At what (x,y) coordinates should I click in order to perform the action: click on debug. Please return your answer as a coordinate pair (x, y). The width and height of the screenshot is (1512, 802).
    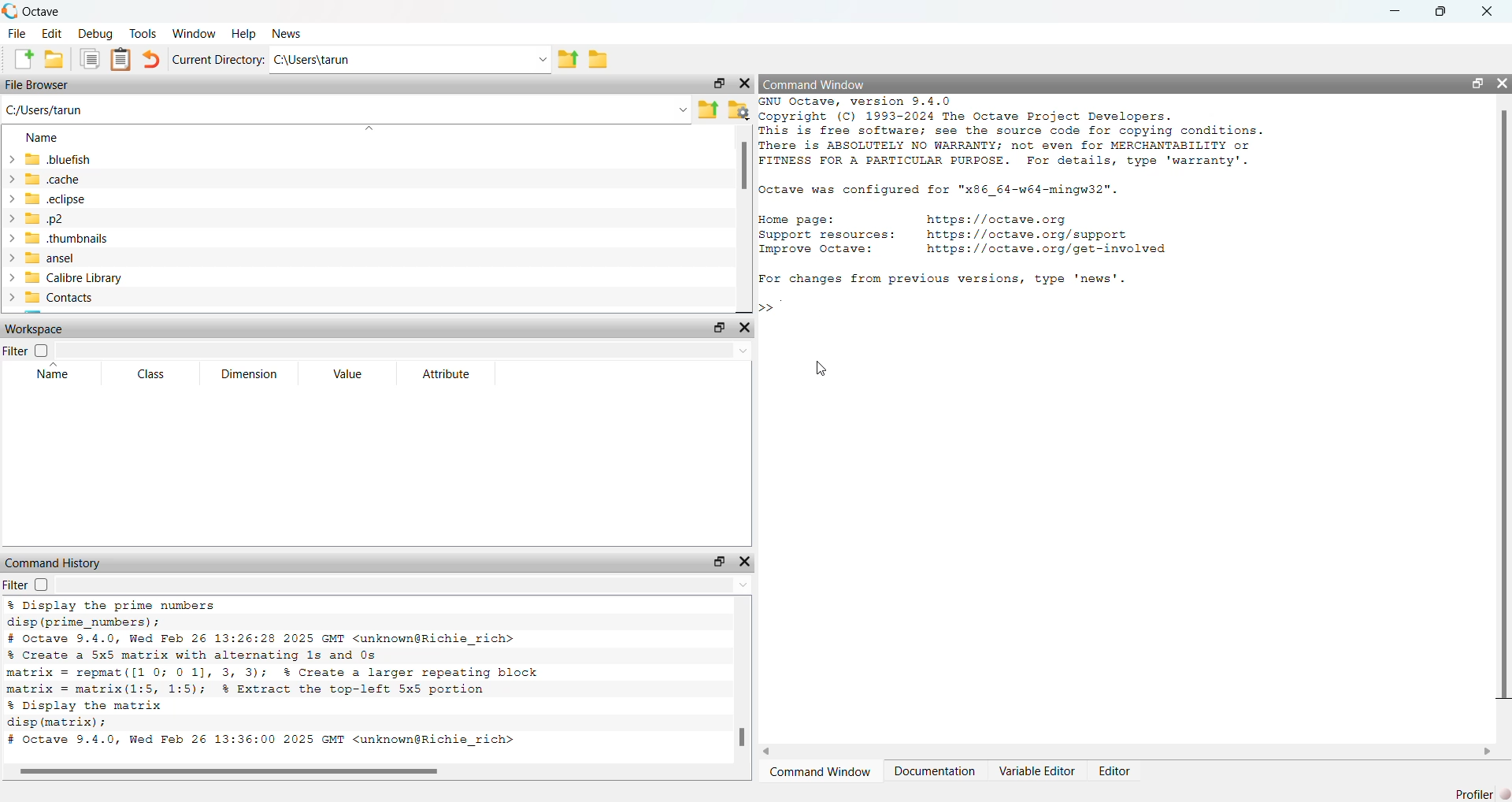
    Looking at the image, I should click on (94, 35).